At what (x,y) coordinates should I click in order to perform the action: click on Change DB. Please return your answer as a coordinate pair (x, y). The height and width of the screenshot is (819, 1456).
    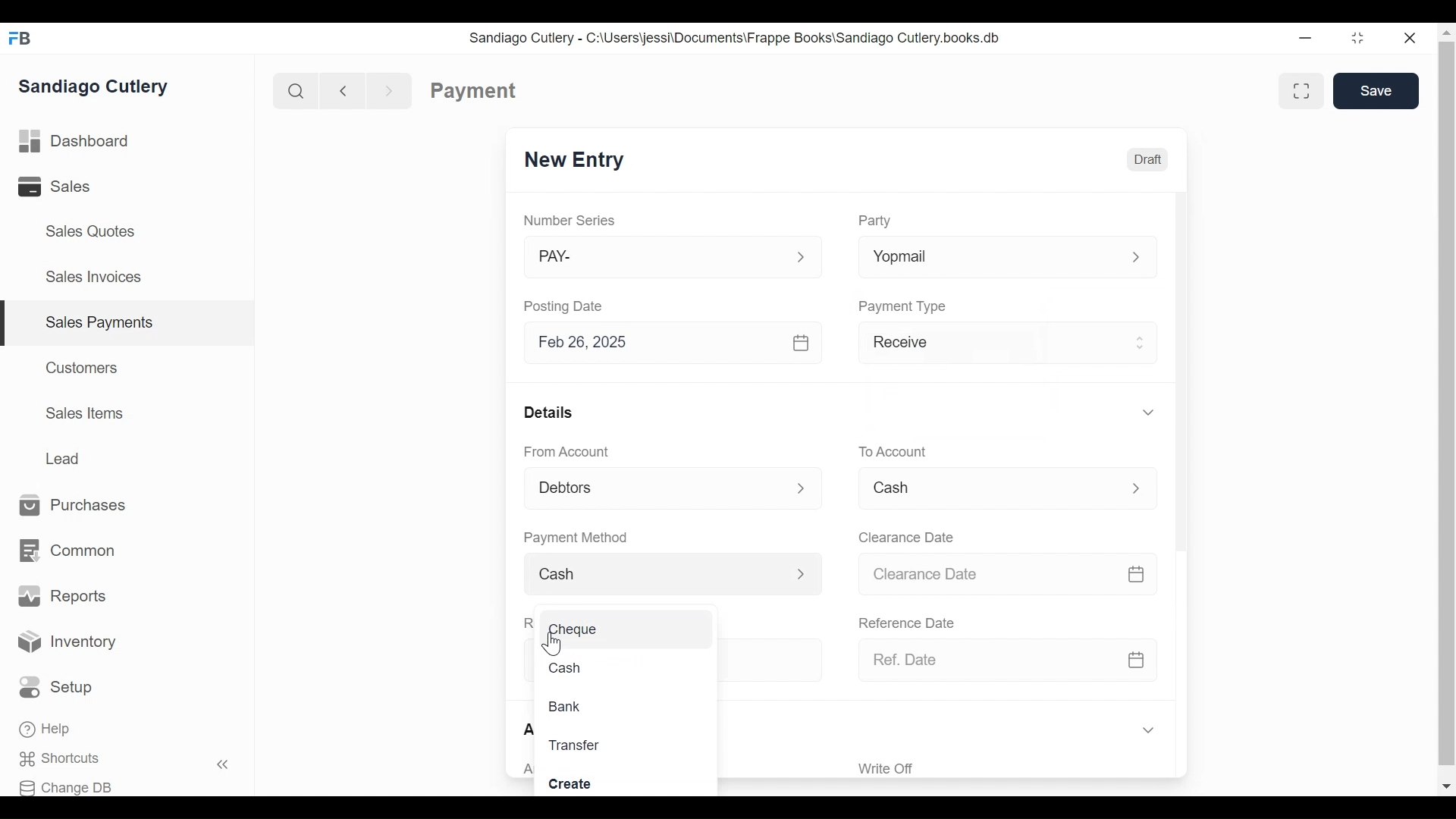
    Looking at the image, I should click on (71, 786).